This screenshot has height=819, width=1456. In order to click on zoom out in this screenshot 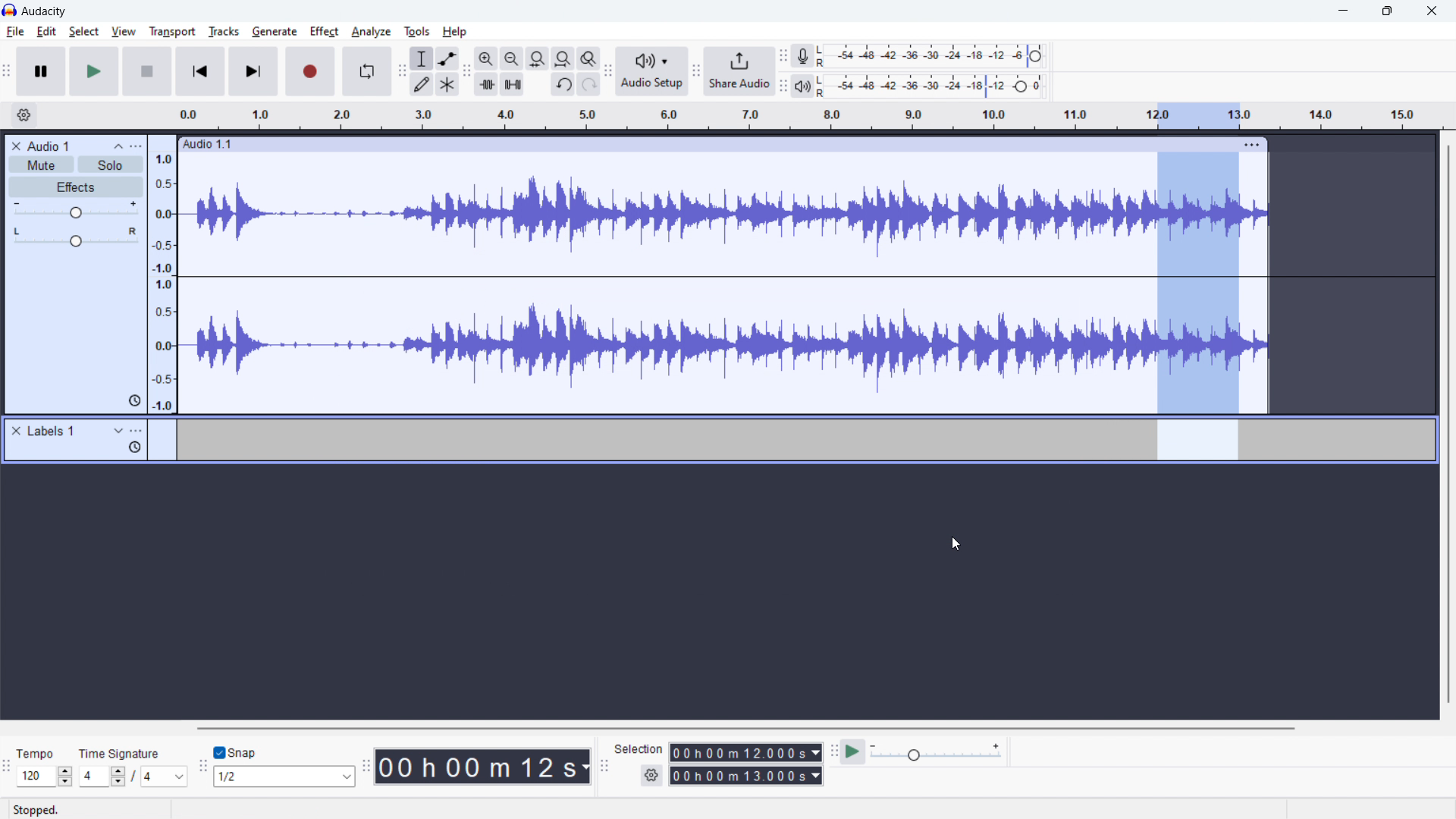, I will do `click(511, 58)`.